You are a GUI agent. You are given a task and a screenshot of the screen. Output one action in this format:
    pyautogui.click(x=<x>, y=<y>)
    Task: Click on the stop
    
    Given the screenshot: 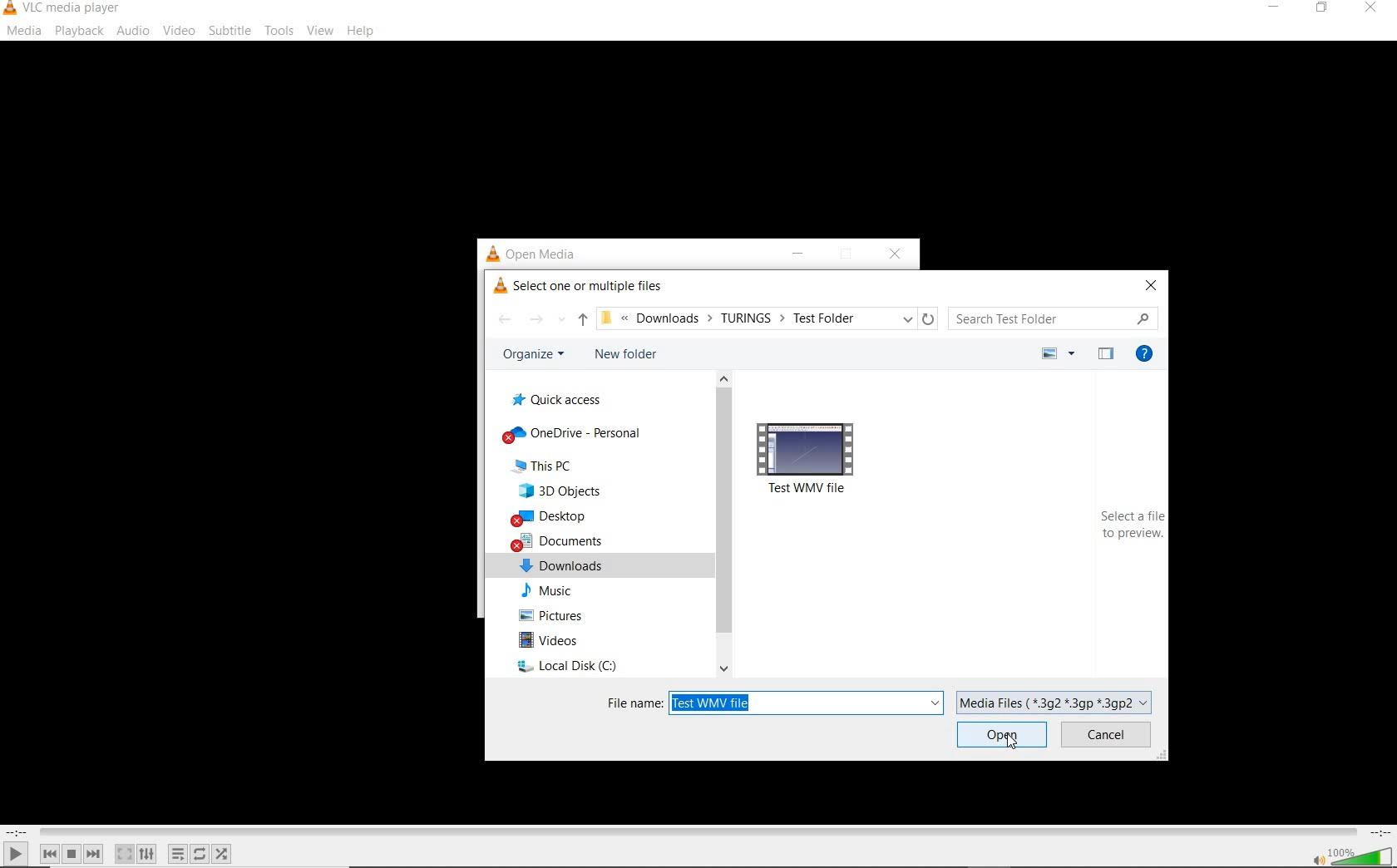 What is the action you would take?
    pyautogui.click(x=72, y=854)
    